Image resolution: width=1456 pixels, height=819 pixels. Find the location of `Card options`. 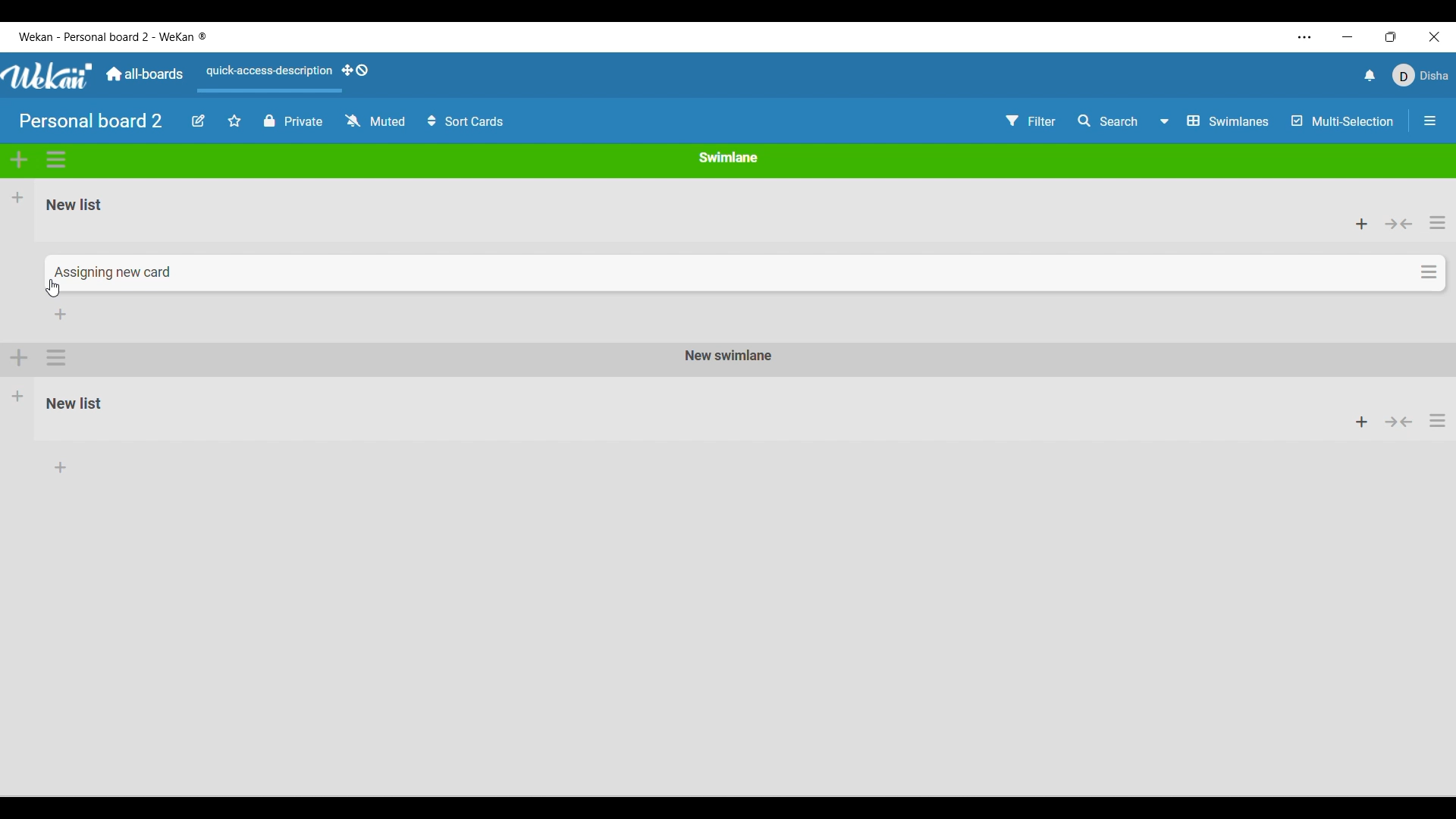

Card options is located at coordinates (1429, 272).